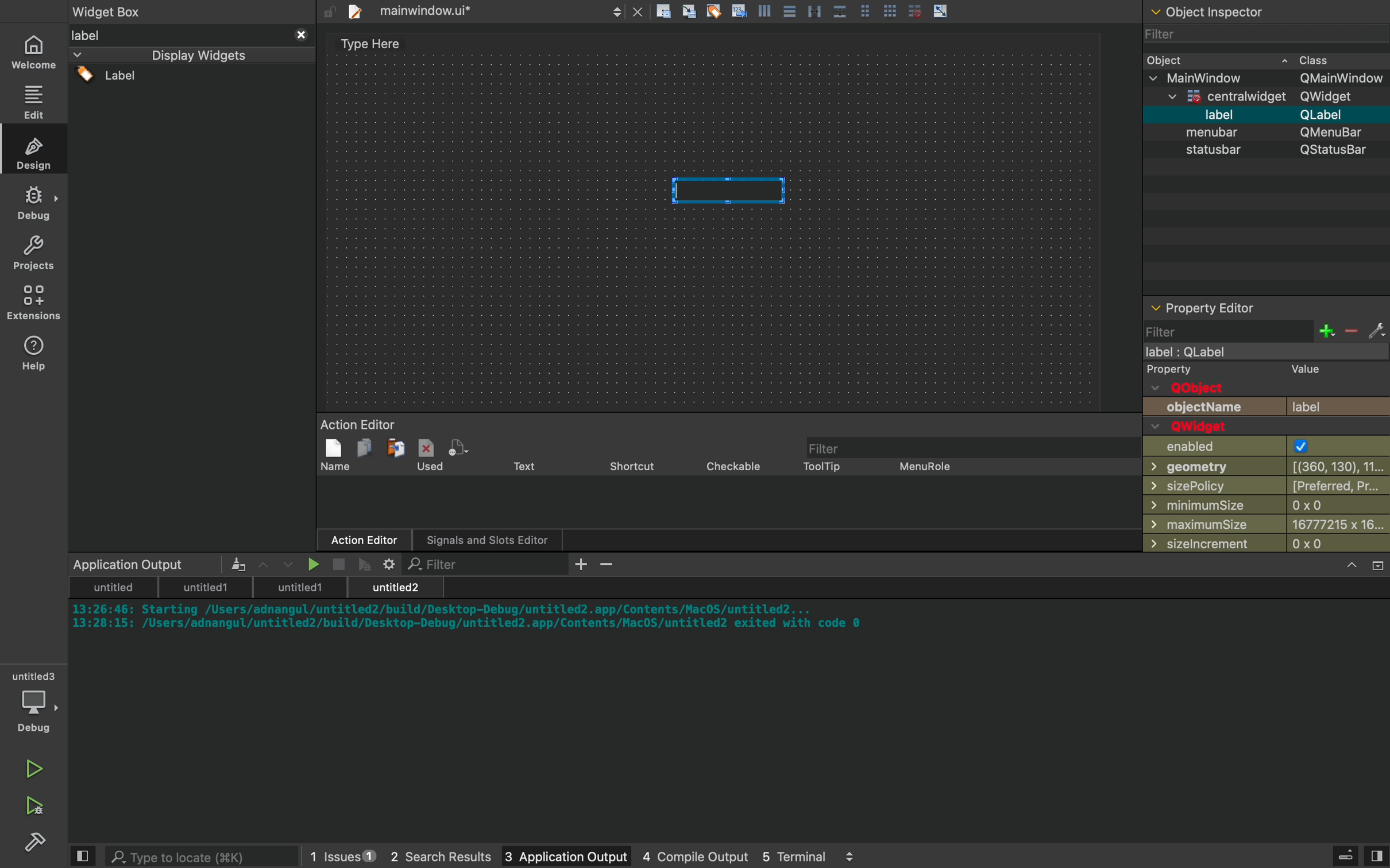 This screenshot has width=1390, height=868. I want to click on extensions, so click(36, 303).